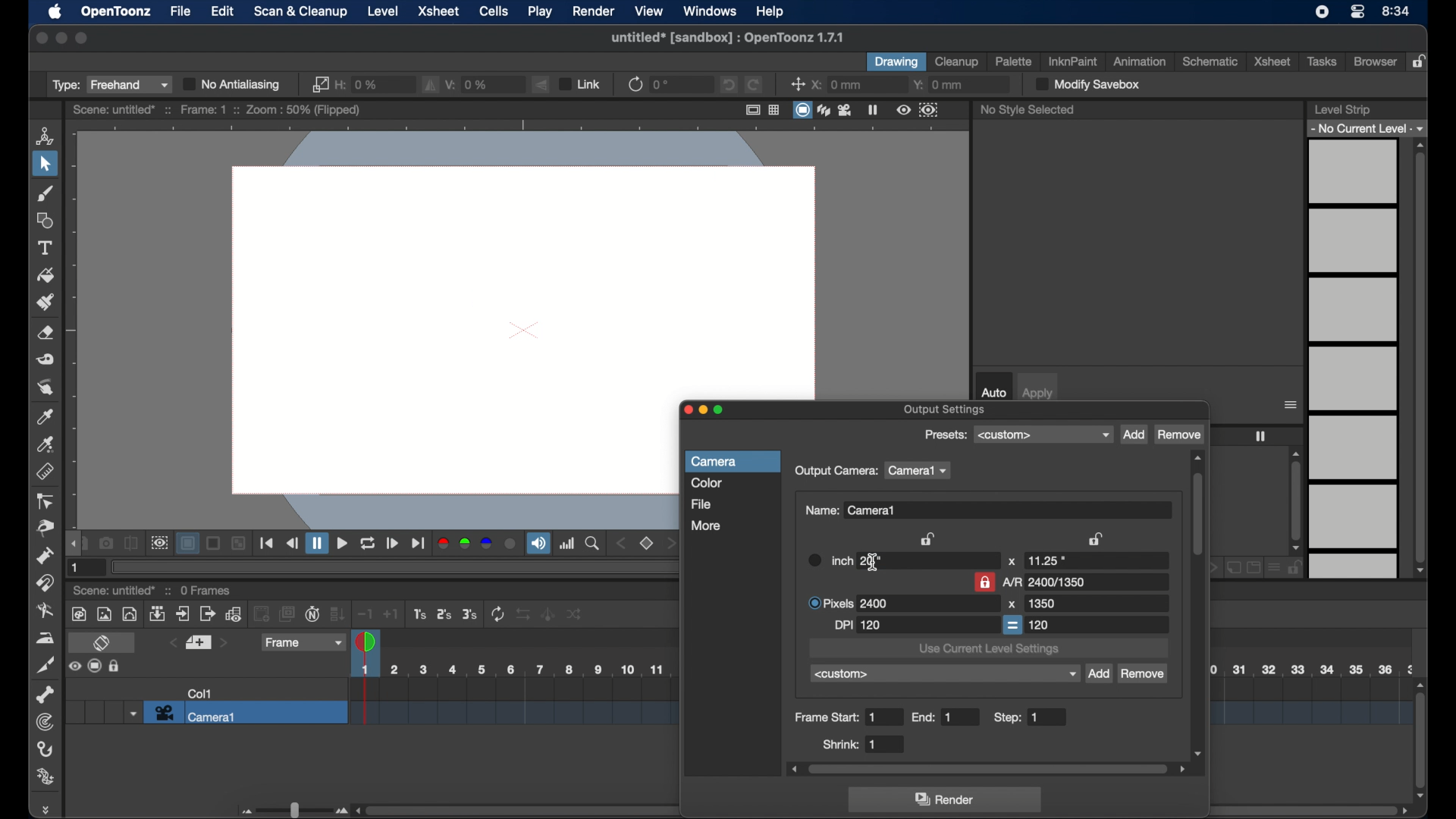 The image size is (1456, 819). Describe the element at coordinates (837, 717) in the screenshot. I see `frame start` at that location.